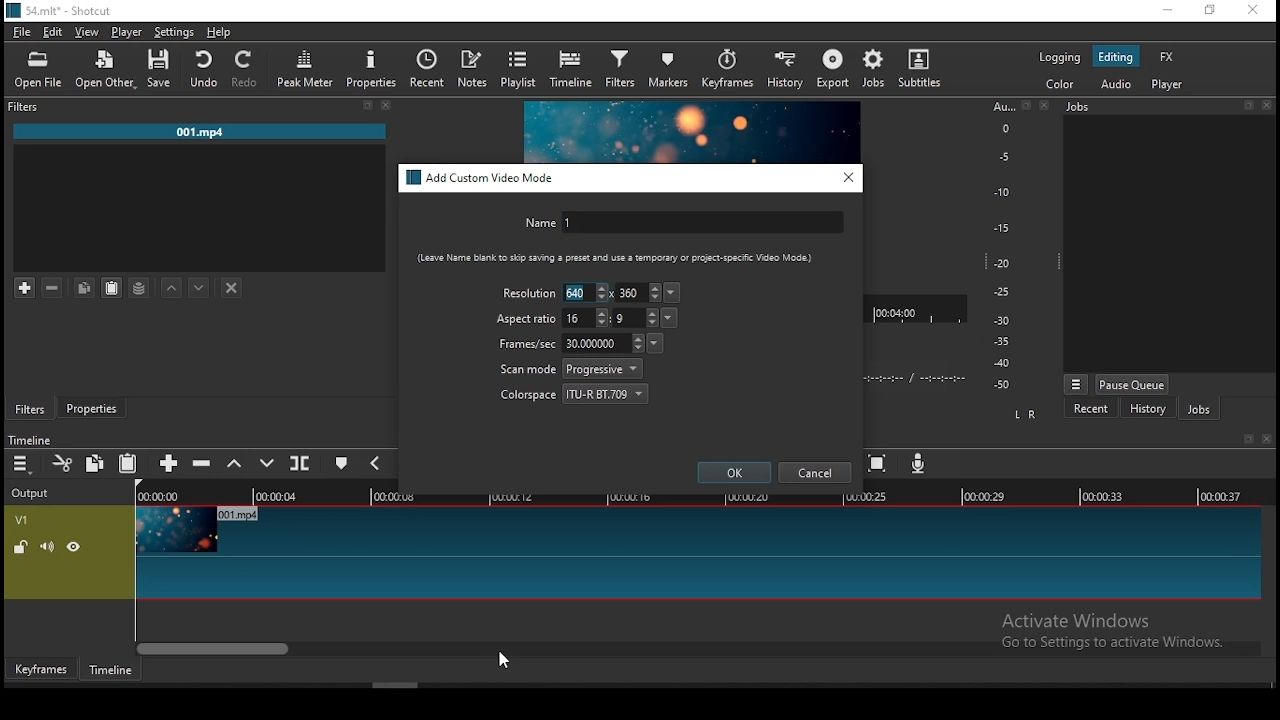  Describe the element at coordinates (112, 288) in the screenshot. I see `paste` at that location.